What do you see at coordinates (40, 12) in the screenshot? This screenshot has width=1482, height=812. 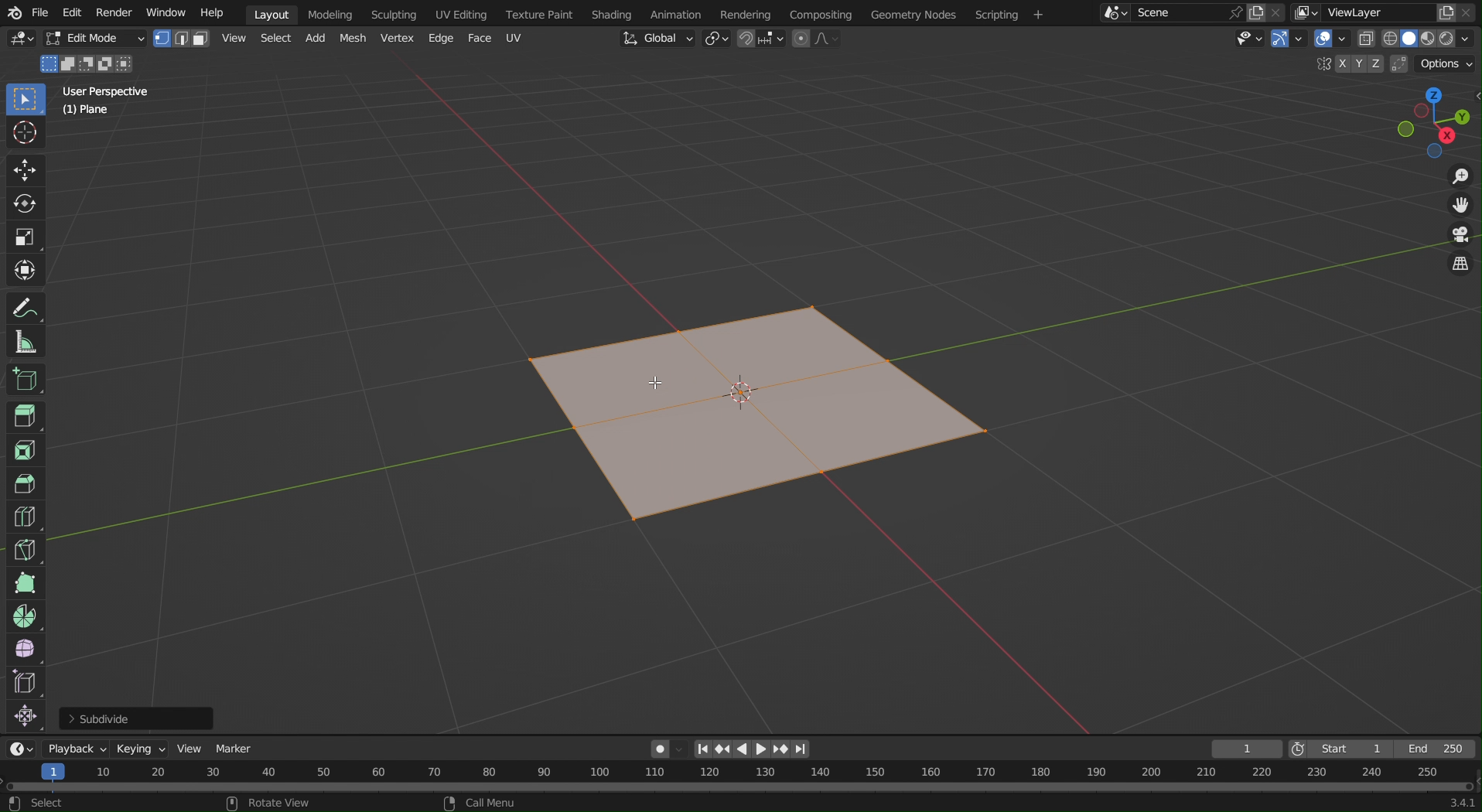 I see `File` at bounding box center [40, 12].